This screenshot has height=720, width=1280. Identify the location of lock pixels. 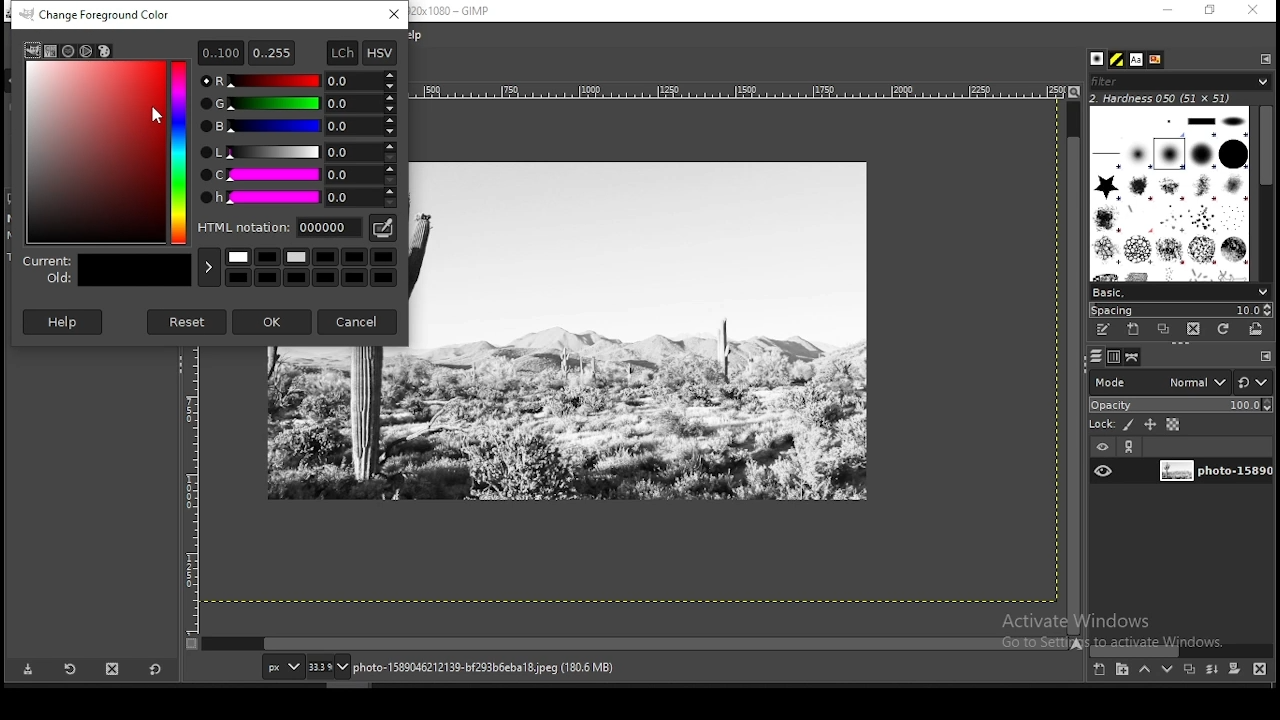
(1111, 423).